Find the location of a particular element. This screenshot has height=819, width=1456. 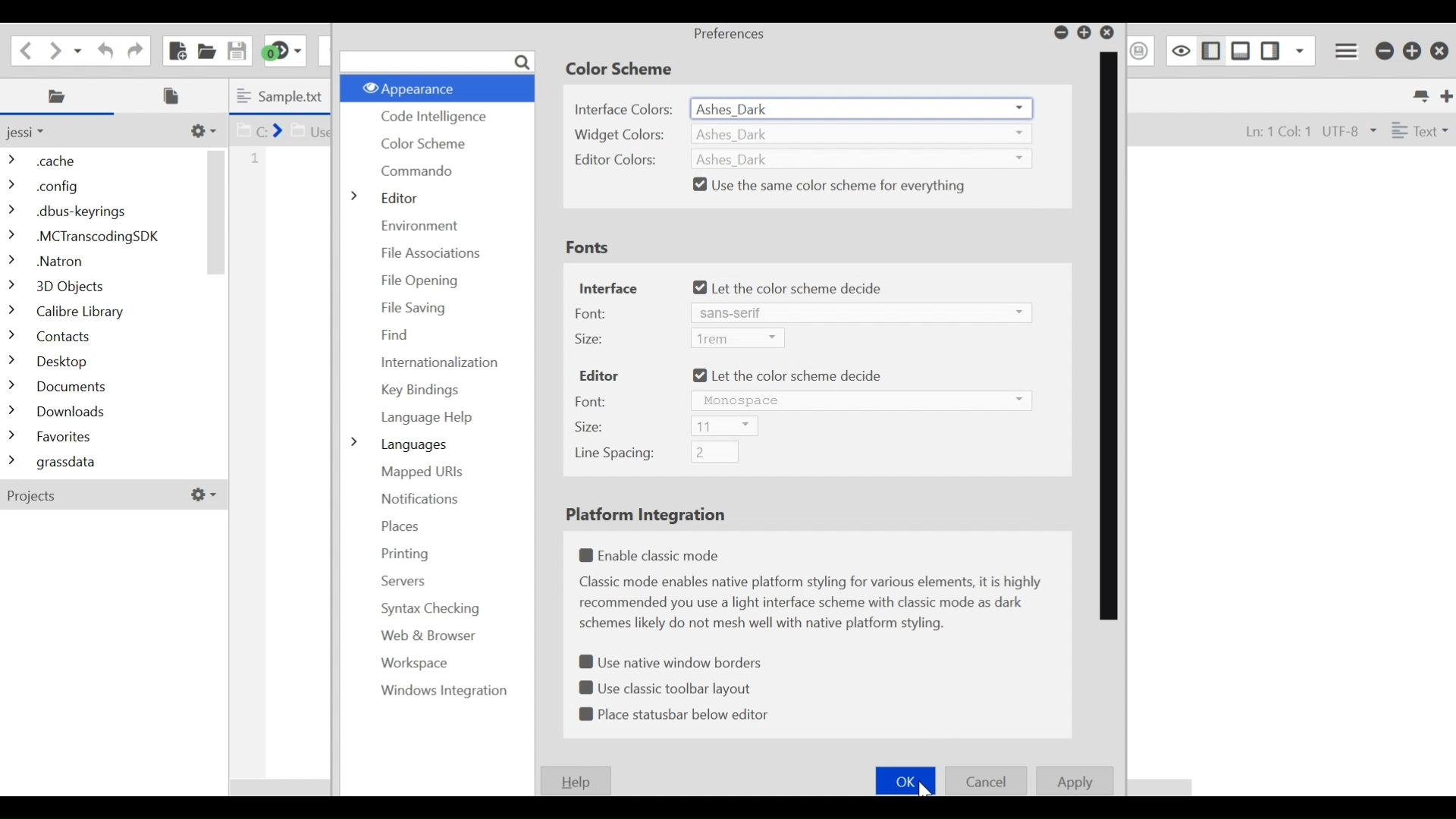

File Opening is located at coordinates (428, 278).